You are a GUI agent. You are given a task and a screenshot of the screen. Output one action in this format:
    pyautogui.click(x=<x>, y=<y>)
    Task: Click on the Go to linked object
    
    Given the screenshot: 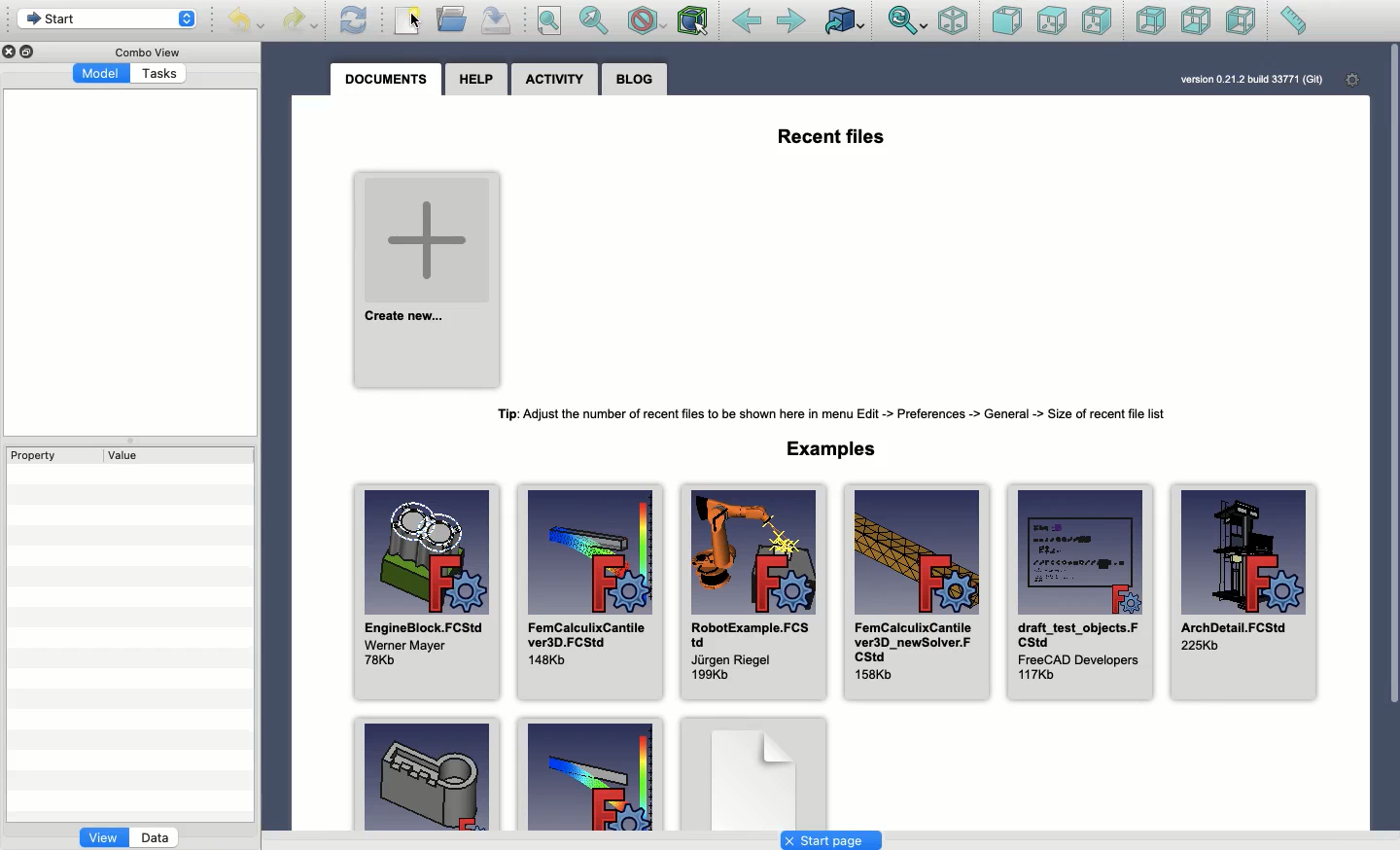 What is the action you would take?
    pyautogui.click(x=844, y=20)
    